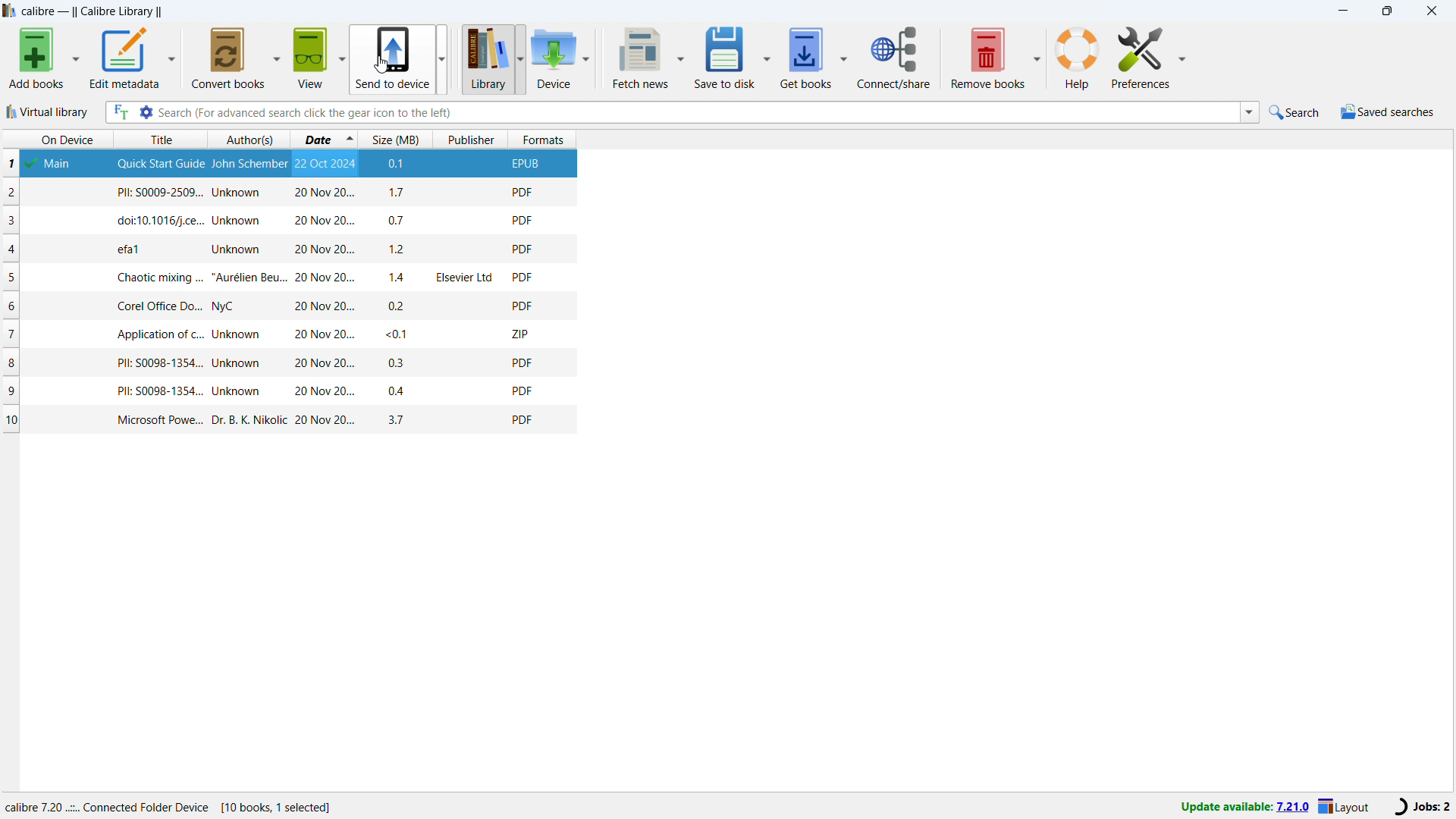 The image size is (1456, 819). Describe the element at coordinates (229, 58) in the screenshot. I see `convert books` at that location.